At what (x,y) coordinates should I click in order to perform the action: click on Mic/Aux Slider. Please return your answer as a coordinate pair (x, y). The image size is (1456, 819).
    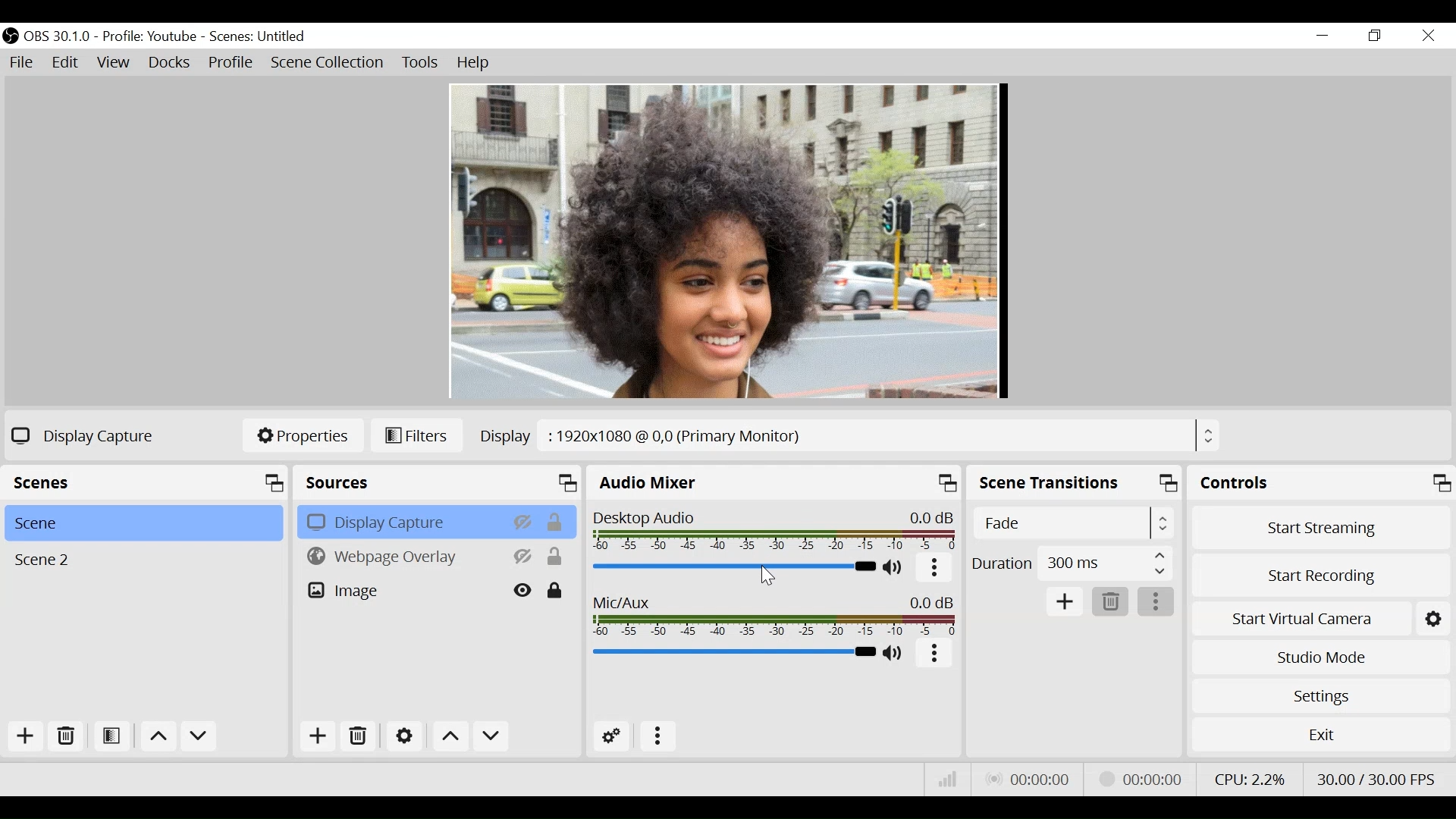
    Looking at the image, I should click on (733, 652).